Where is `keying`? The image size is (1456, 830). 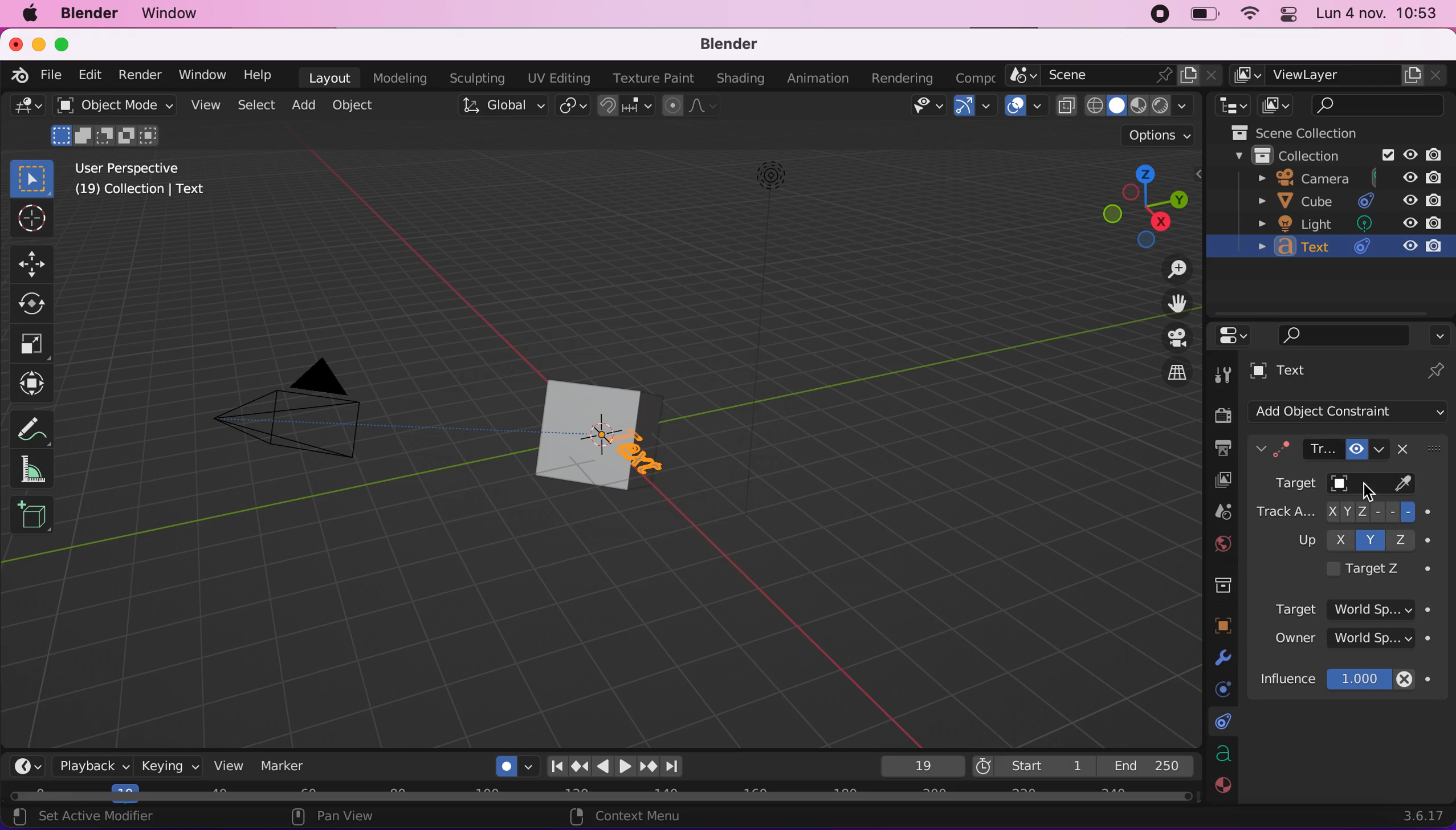
keying is located at coordinates (169, 766).